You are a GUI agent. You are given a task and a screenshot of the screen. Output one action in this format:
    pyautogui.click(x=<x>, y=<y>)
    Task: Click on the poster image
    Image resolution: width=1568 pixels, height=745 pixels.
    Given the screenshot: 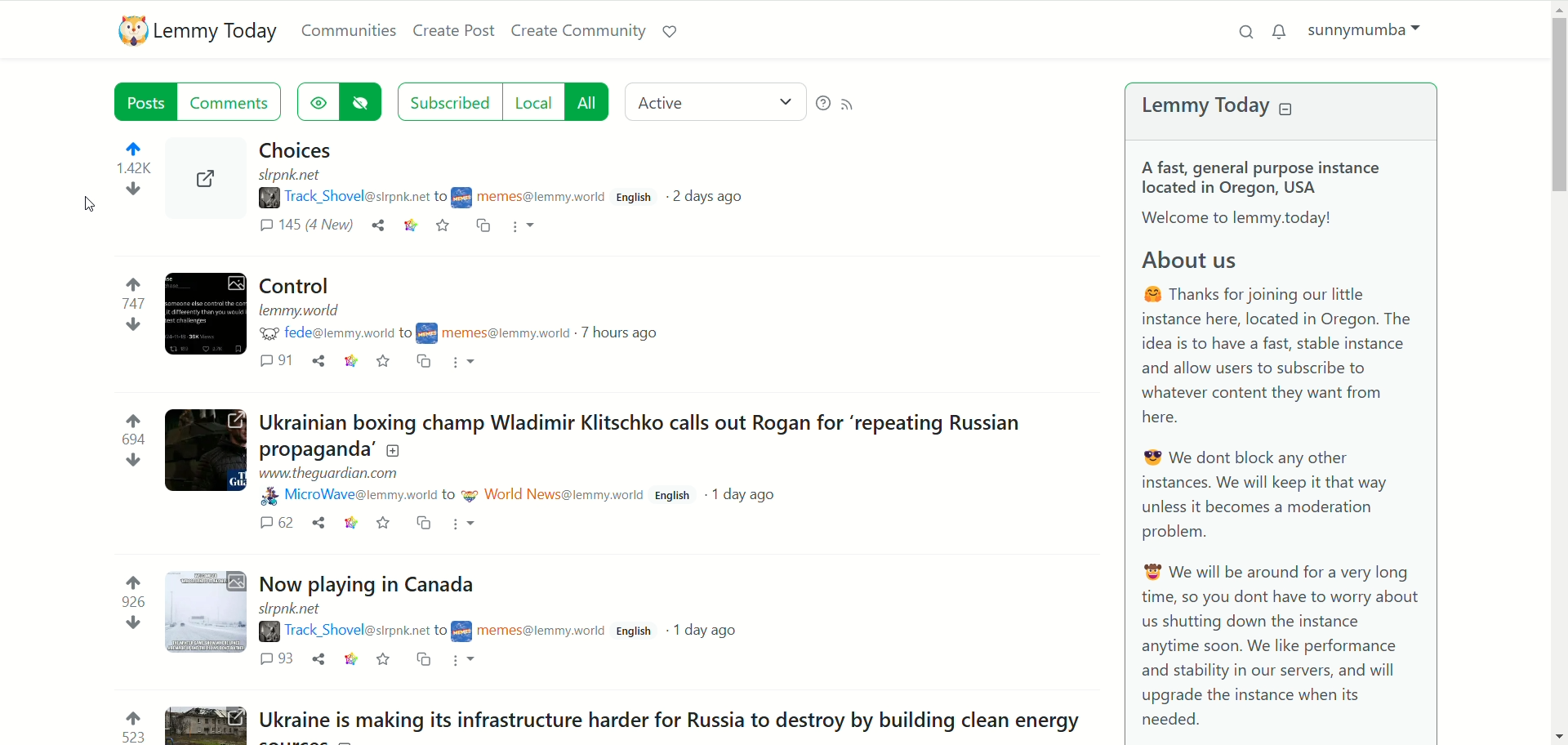 What is the action you would take?
    pyautogui.click(x=265, y=332)
    